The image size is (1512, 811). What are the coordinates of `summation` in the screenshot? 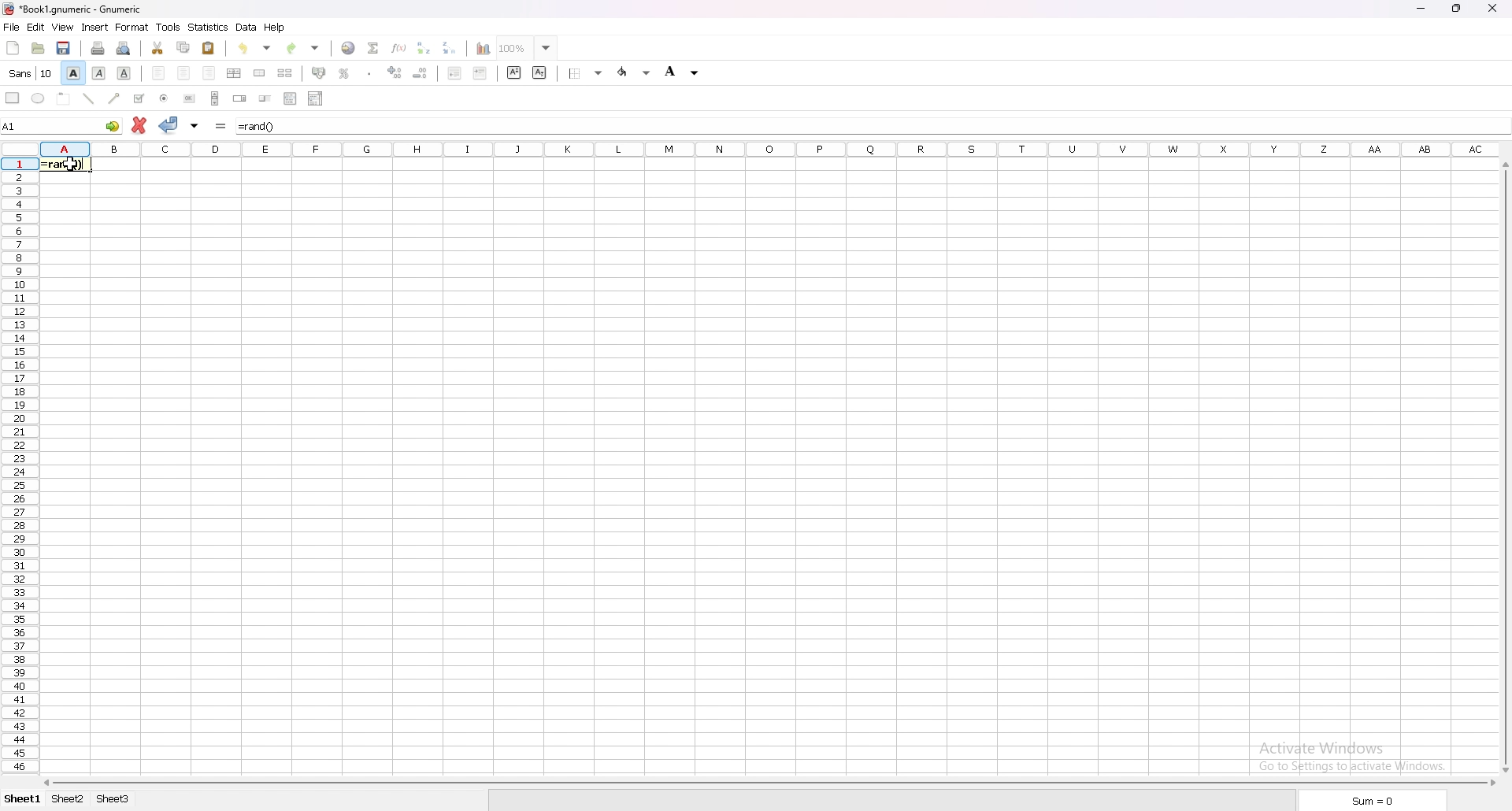 It's located at (375, 47).